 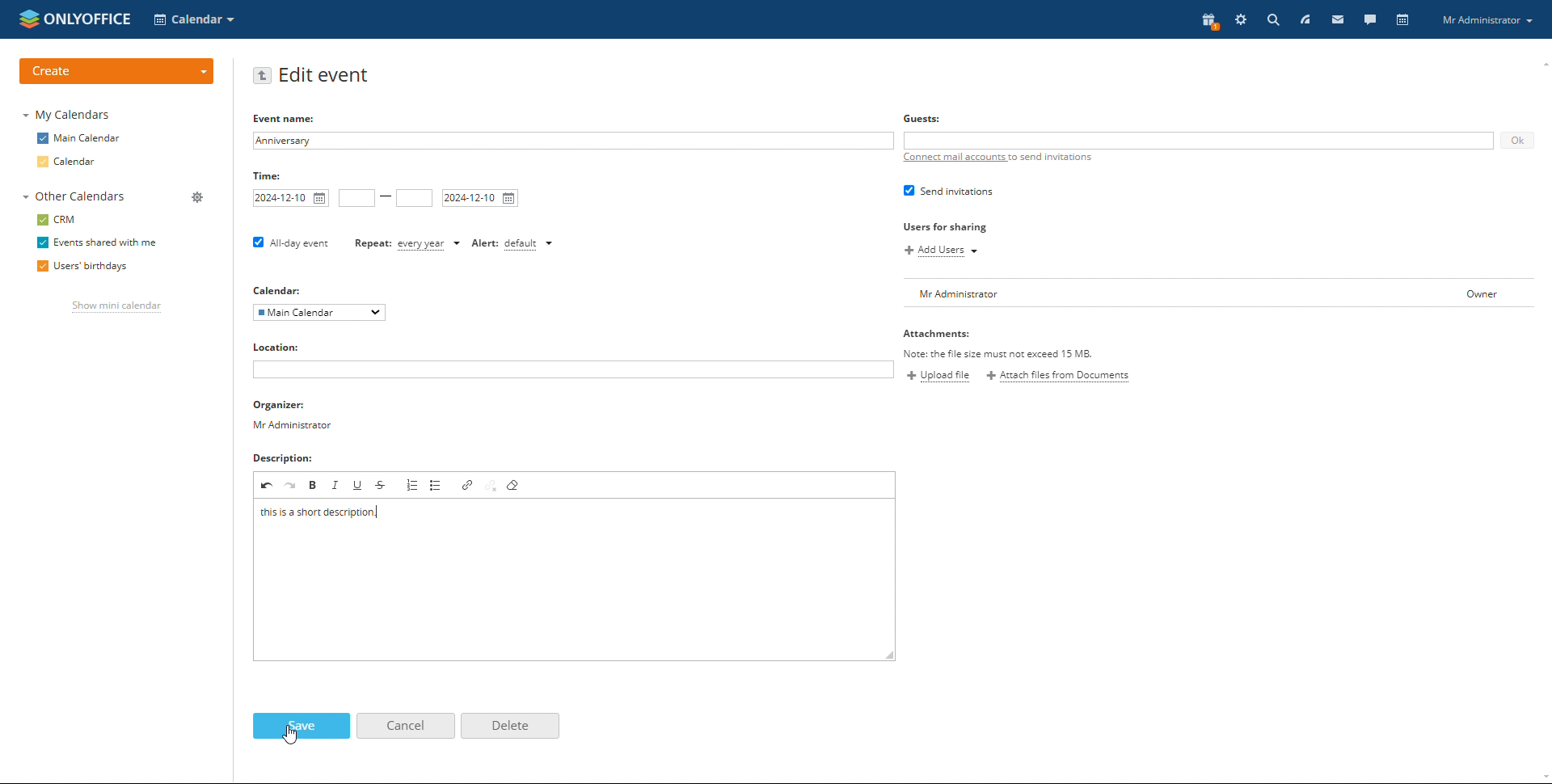 What do you see at coordinates (116, 72) in the screenshot?
I see `create` at bounding box center [116, 72].